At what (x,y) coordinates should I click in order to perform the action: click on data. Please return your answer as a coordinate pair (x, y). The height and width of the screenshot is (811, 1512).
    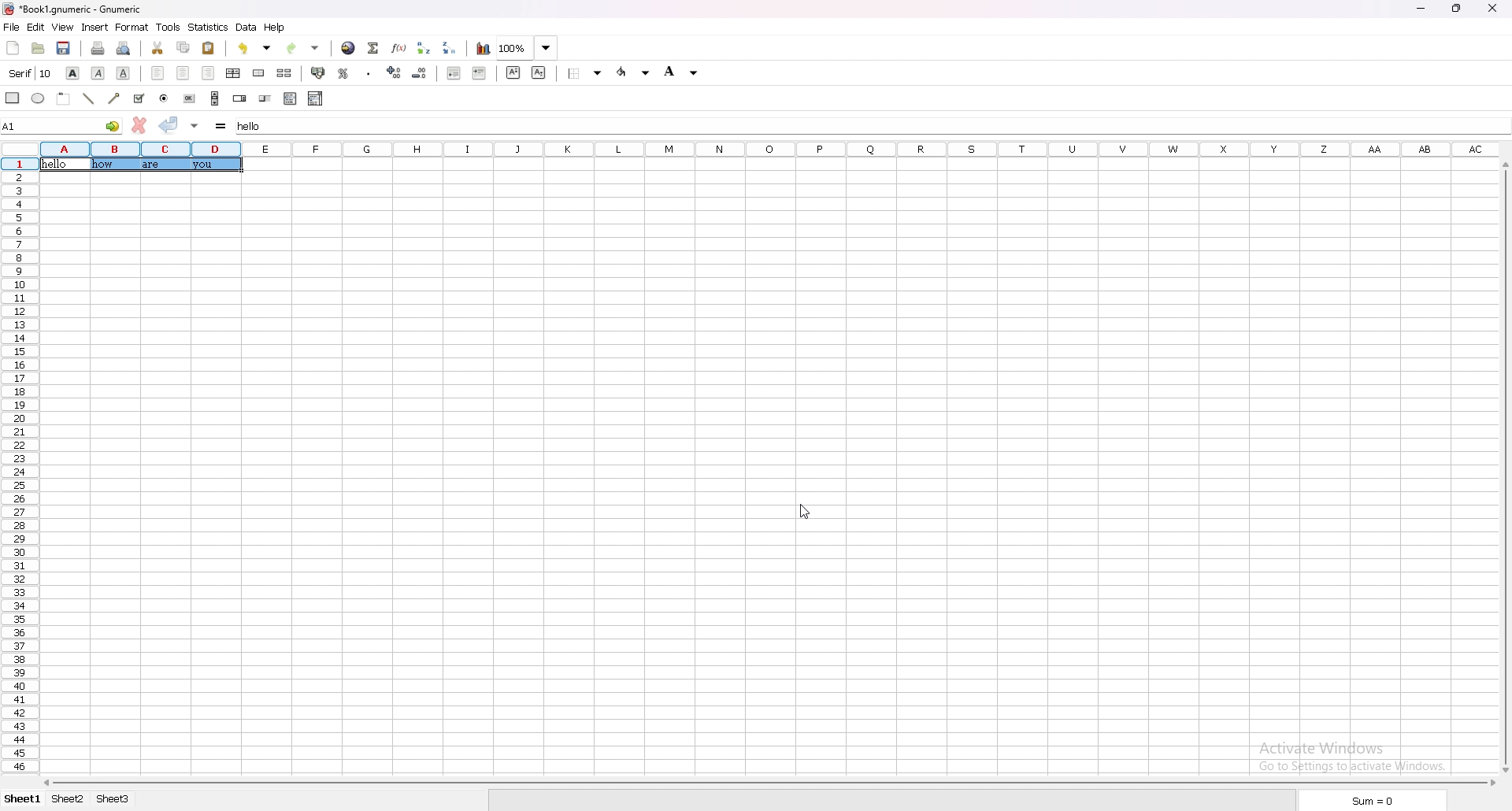
    Looking at the image, I should click on (246, 28).